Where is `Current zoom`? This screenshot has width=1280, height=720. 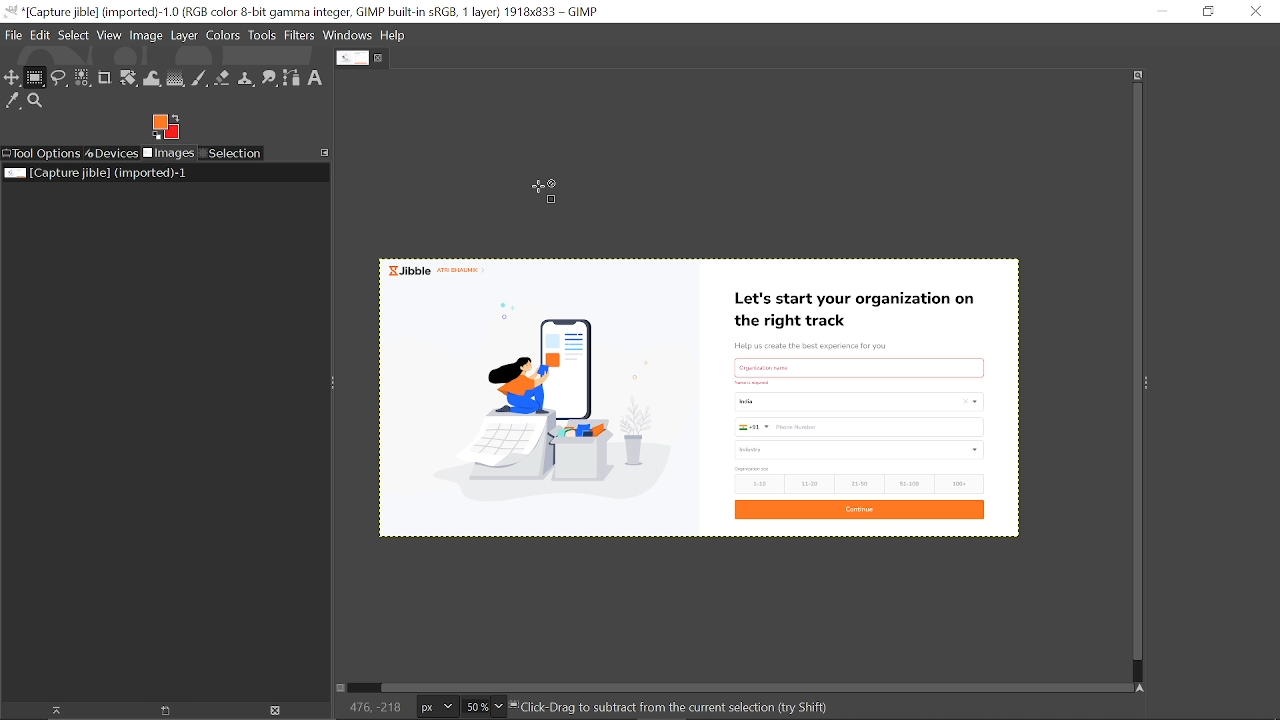 Current zoom is located at coordinates (474, 708).